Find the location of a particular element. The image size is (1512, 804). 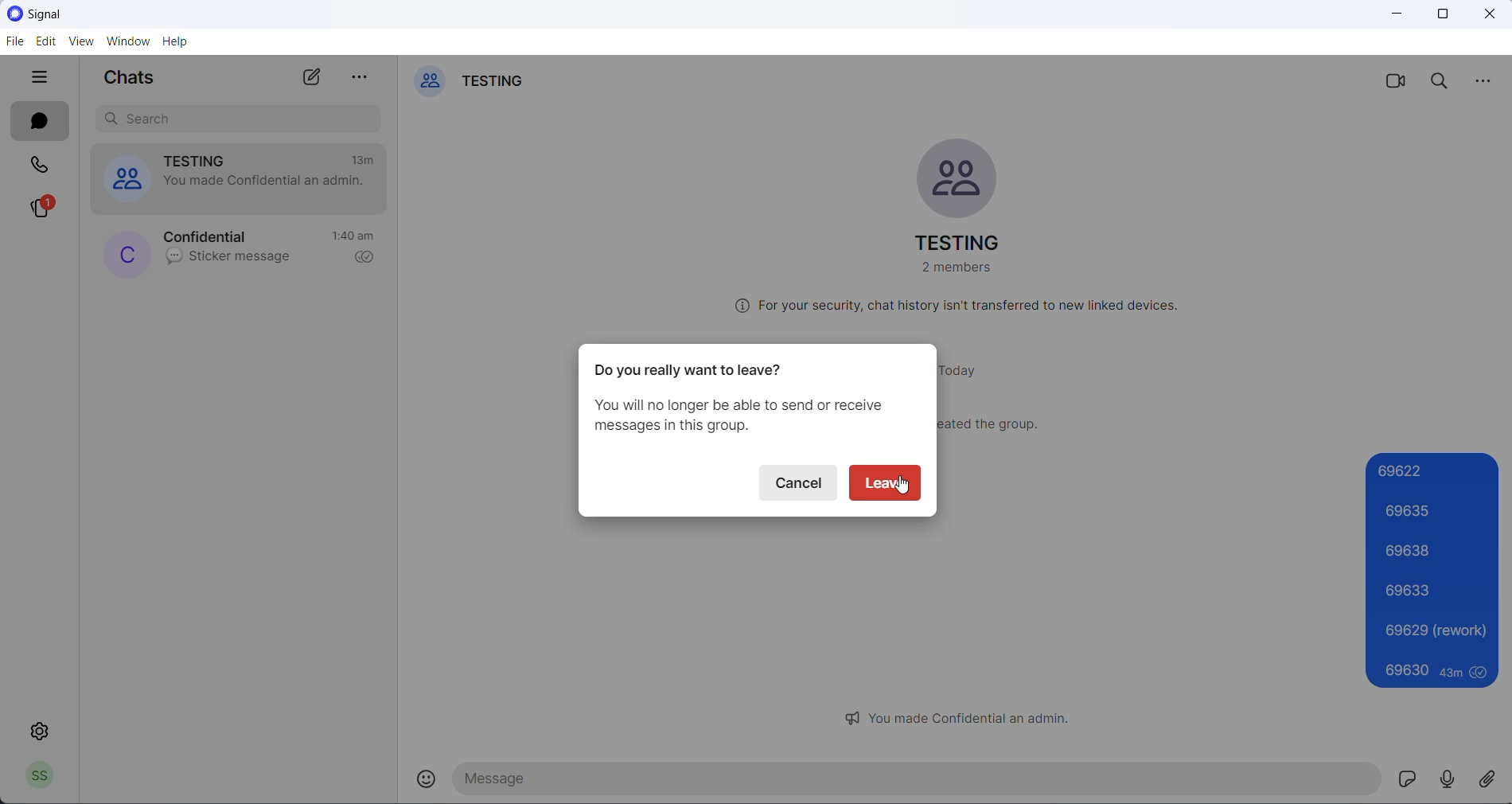

leave is located at coordinates (884, 483).